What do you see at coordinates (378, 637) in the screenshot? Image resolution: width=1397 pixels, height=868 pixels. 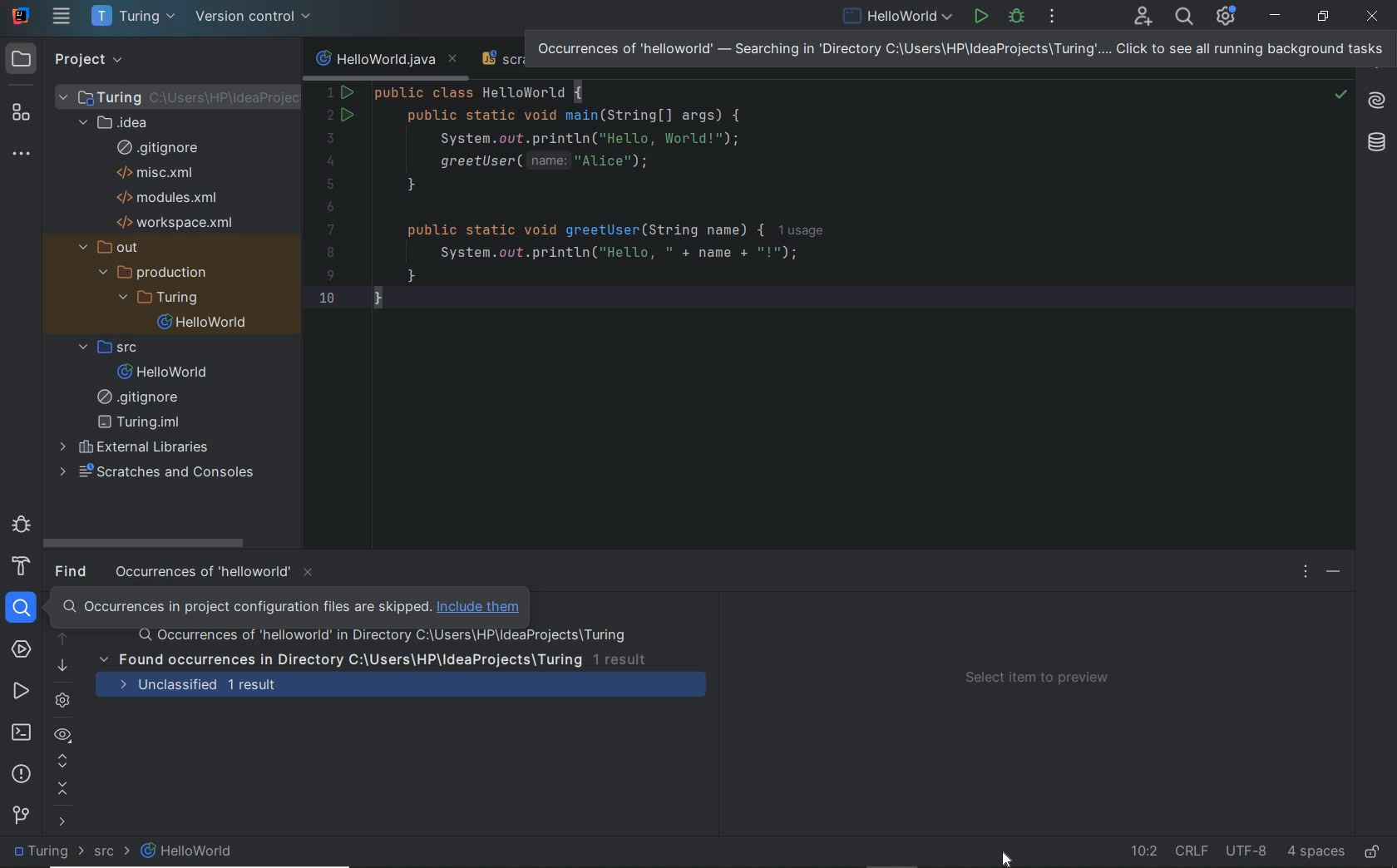 I see `occurrences of the search term` at bounding box center [378, 637].